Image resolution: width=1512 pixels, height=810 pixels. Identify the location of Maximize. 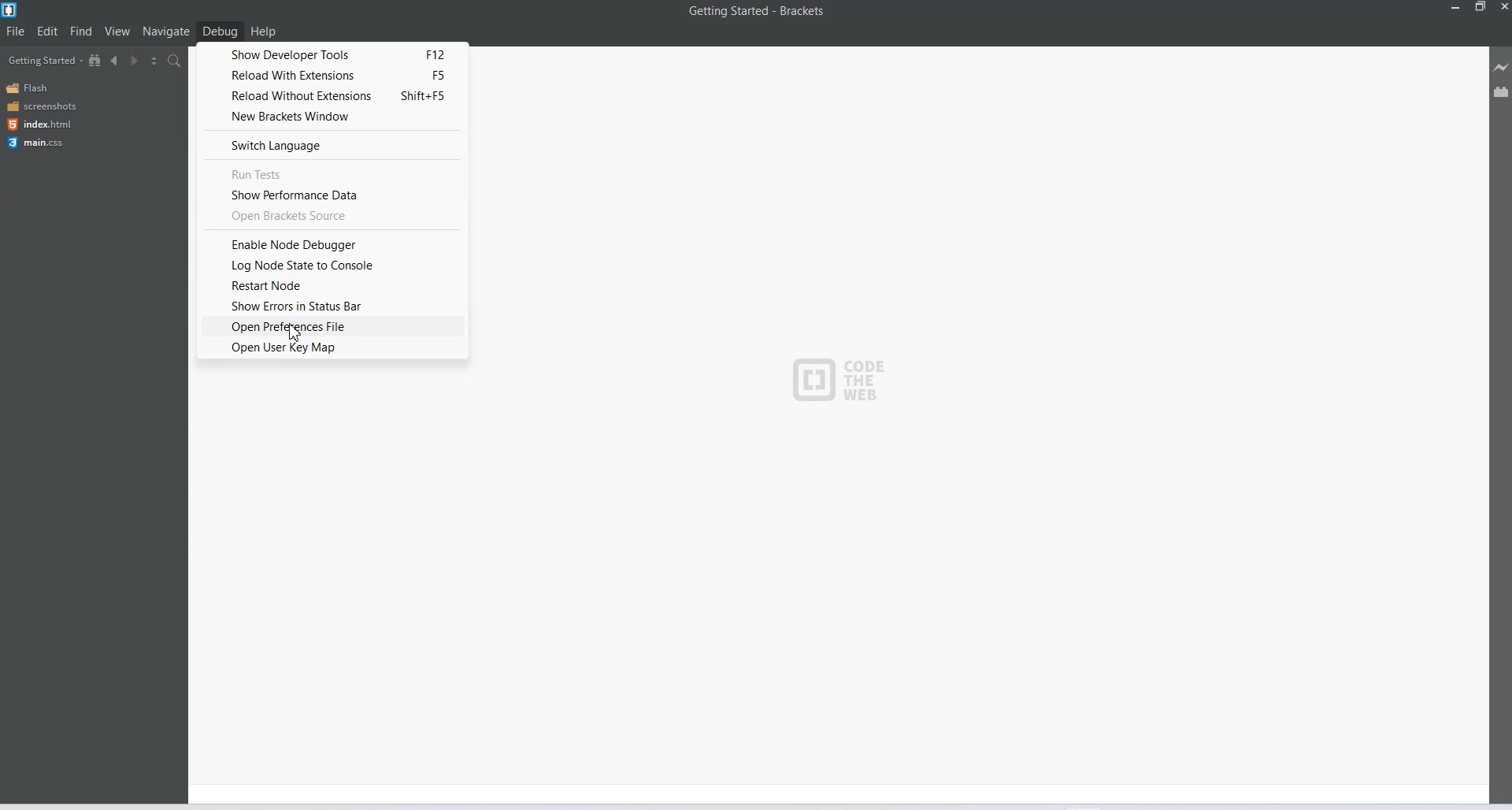
(1480, 8).